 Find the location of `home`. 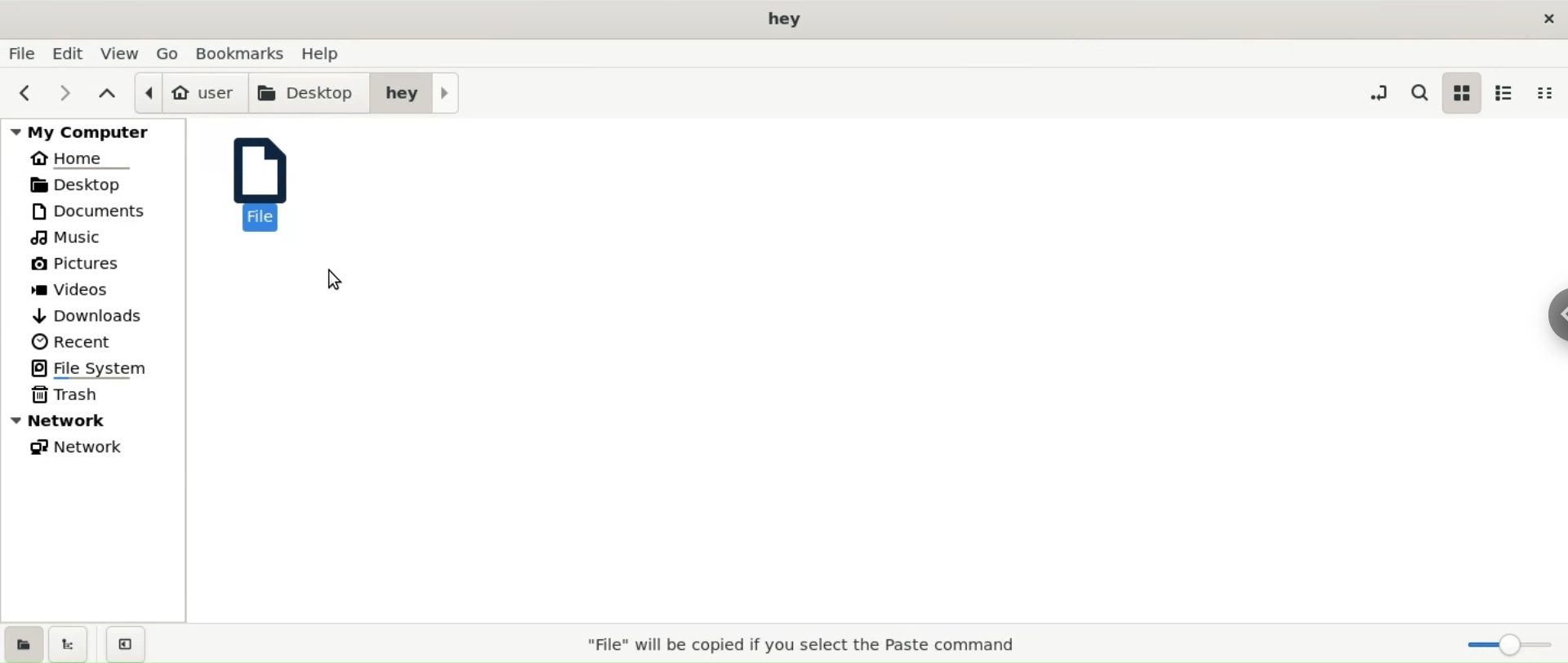

home is located at coordinates (94, 159).